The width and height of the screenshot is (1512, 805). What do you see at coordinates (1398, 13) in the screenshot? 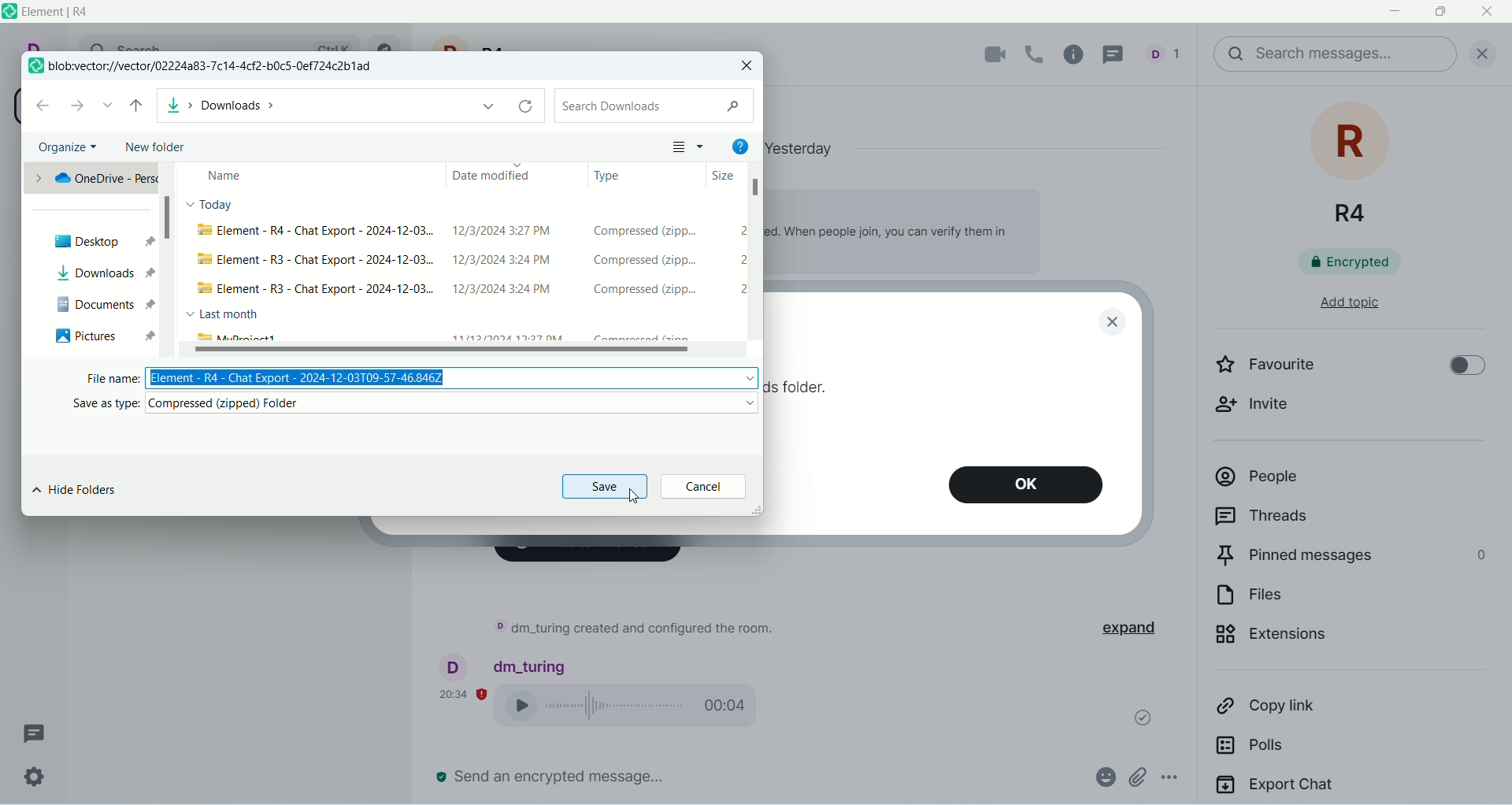
I see `minimize` at bounding box center [1398, 13].